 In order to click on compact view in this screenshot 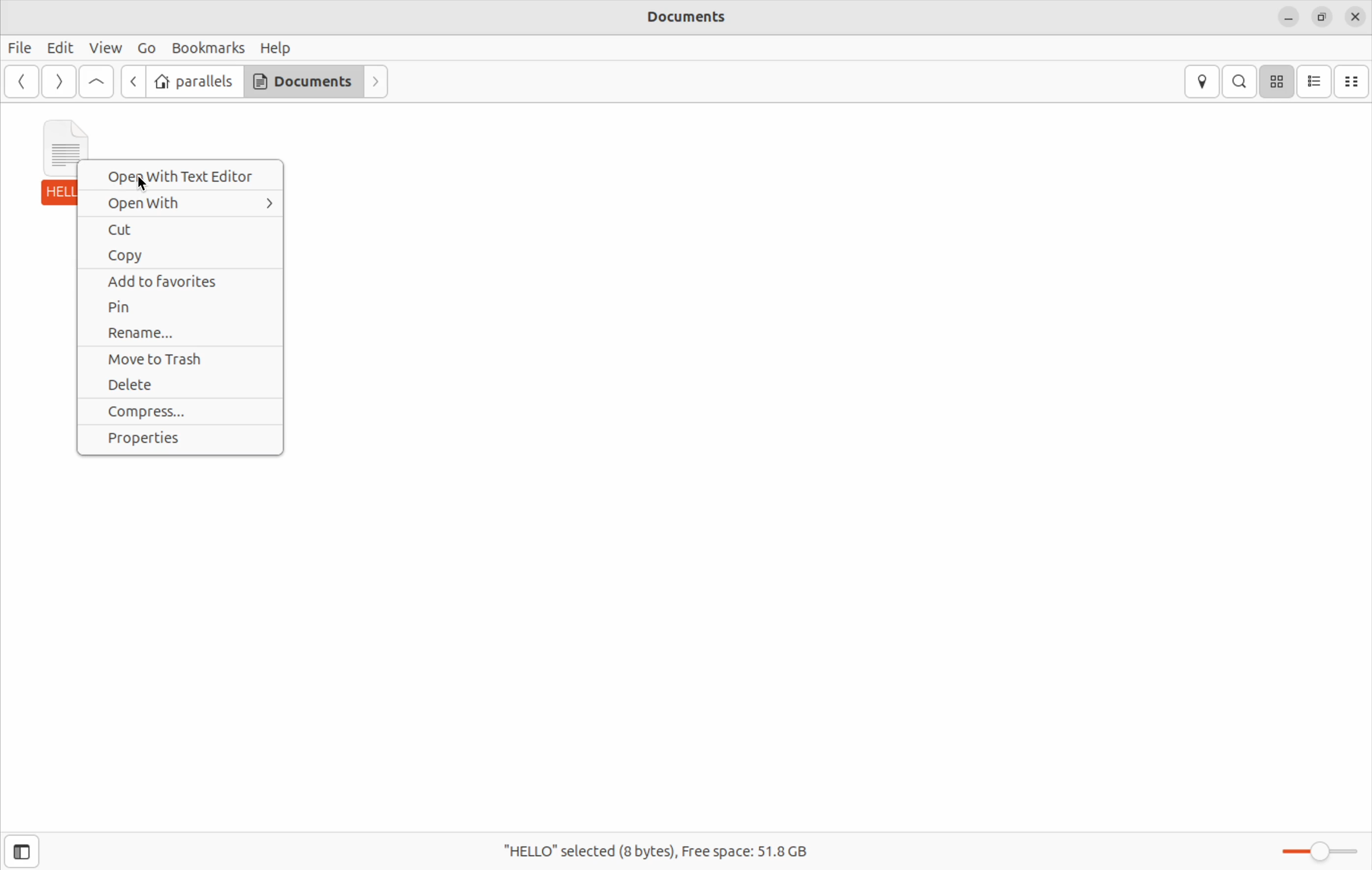, I will do `click(1355, 81)`.